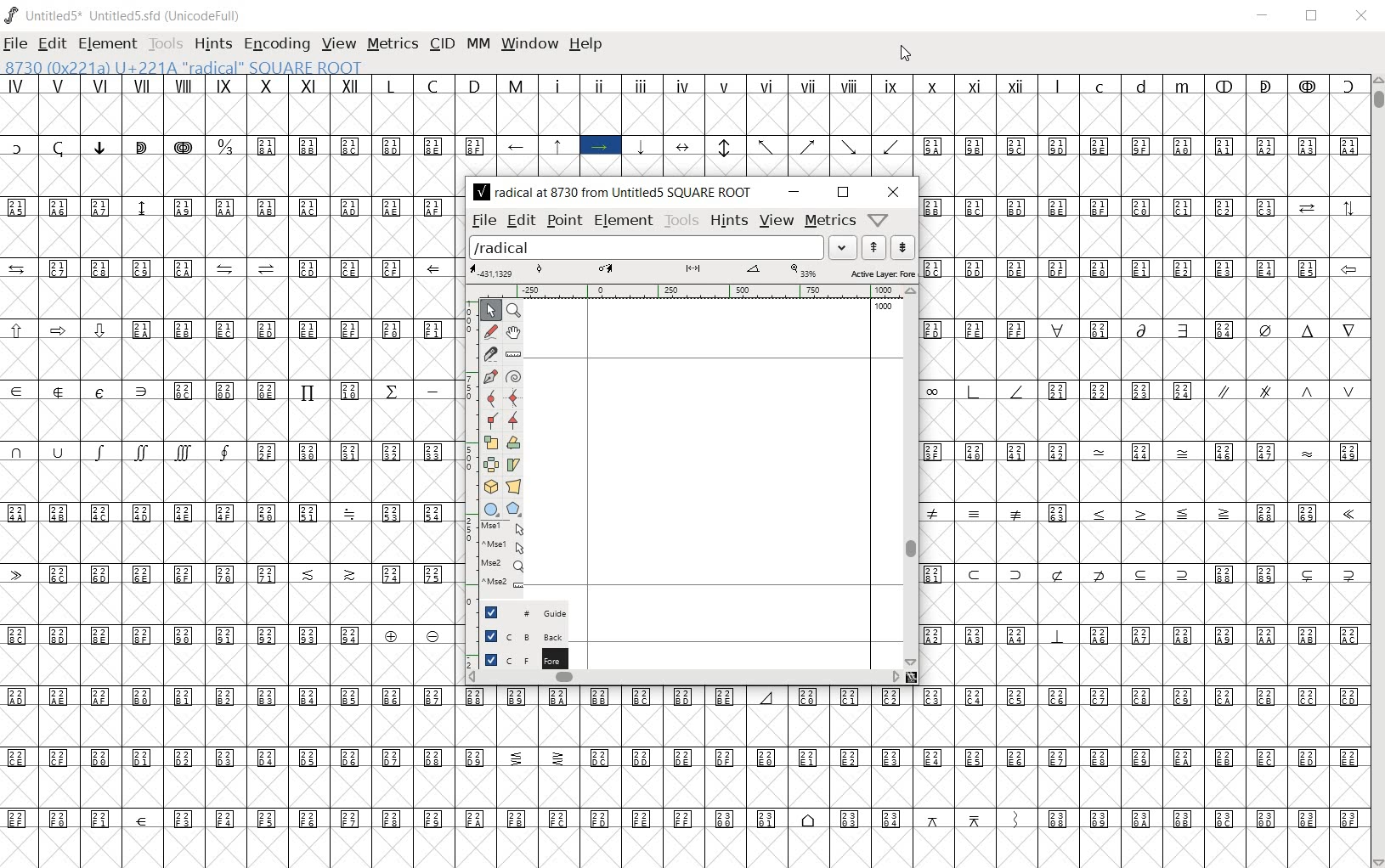 The image size is (1385, 868). Describe the element at coordinates (390, 45) in the screenshot. I see `METRICS` at that location.